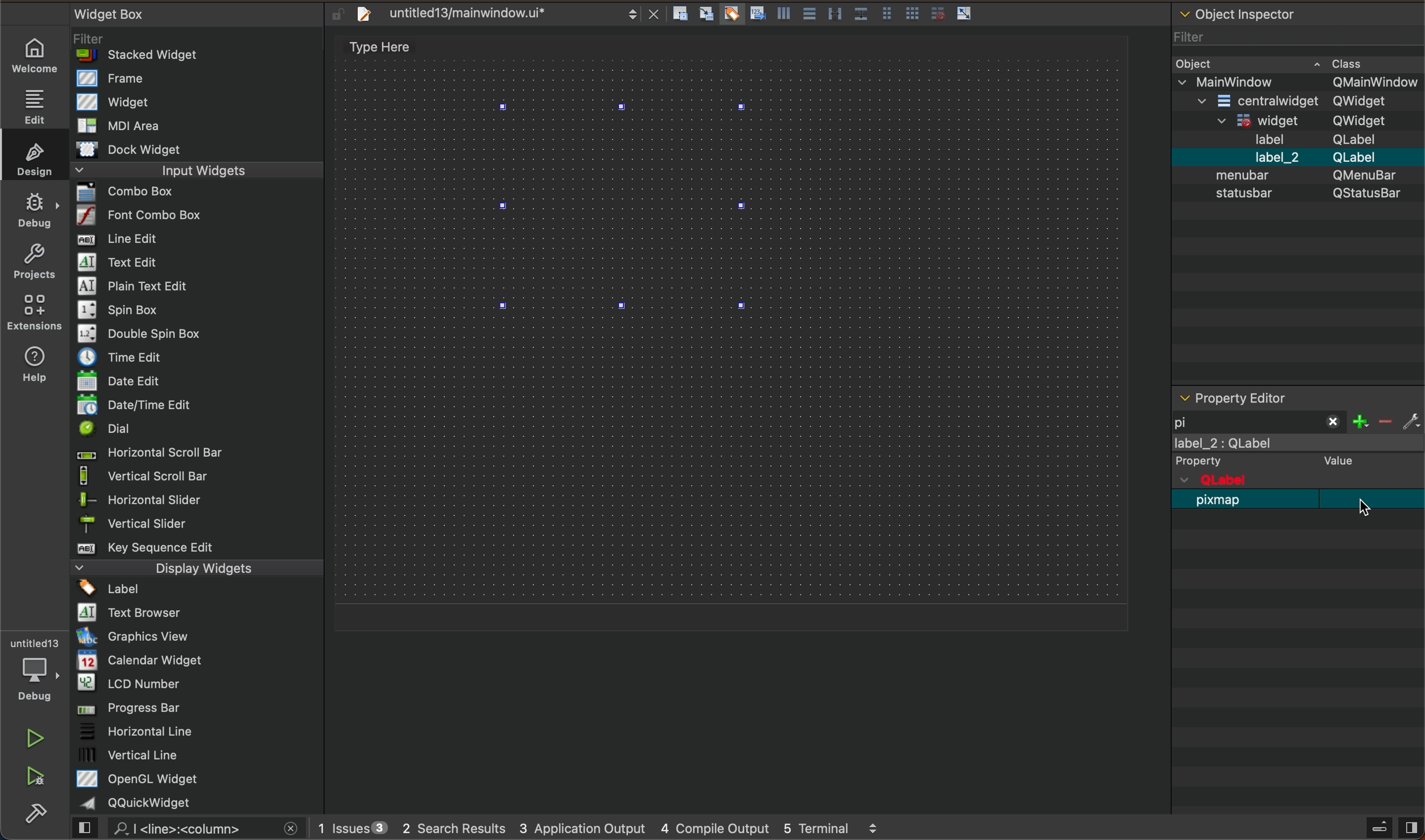 This screenshot has height=840, width=1425. What do you see at coordinates (1296, 194) in the screenshot?
I see `object inspector` at bounding box center [1296, 194].